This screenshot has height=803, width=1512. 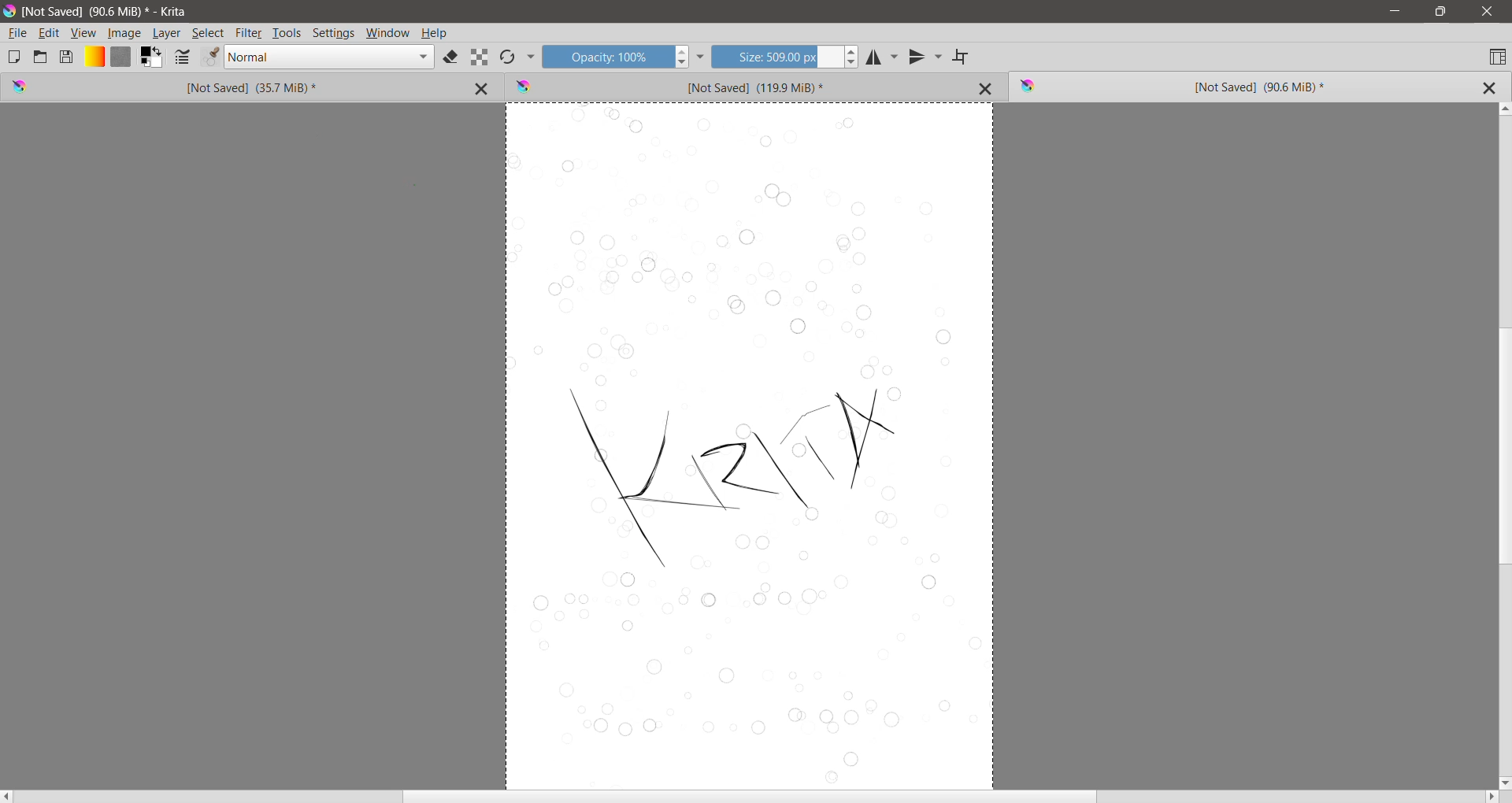 I want to click on Close Tab, so click(x=484, y=87).